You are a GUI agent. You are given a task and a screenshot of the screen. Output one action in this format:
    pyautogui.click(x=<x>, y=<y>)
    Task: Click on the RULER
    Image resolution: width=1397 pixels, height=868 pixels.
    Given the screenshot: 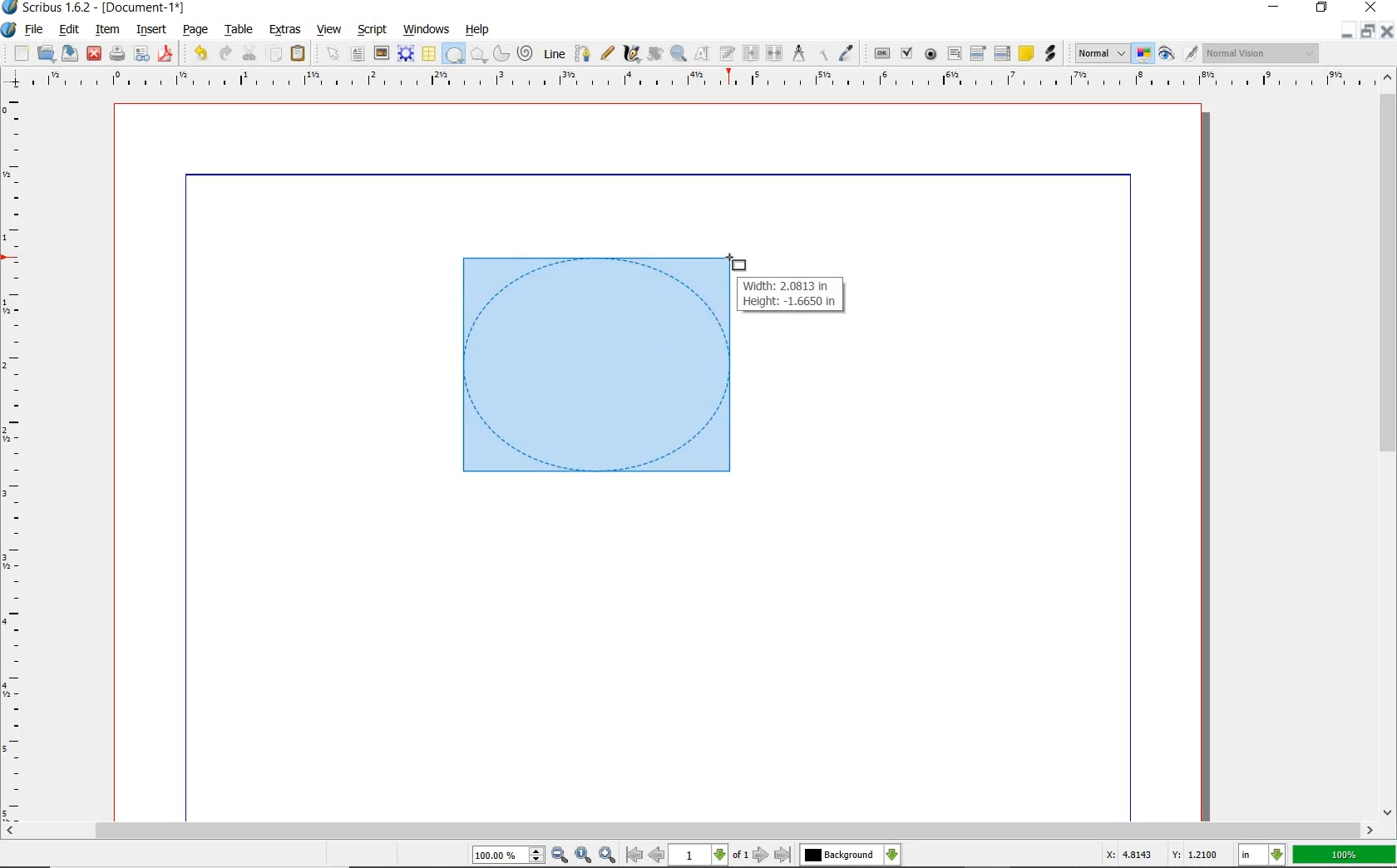 What is the action you would take?
    pyautogui.click(x=14, y=461)
    